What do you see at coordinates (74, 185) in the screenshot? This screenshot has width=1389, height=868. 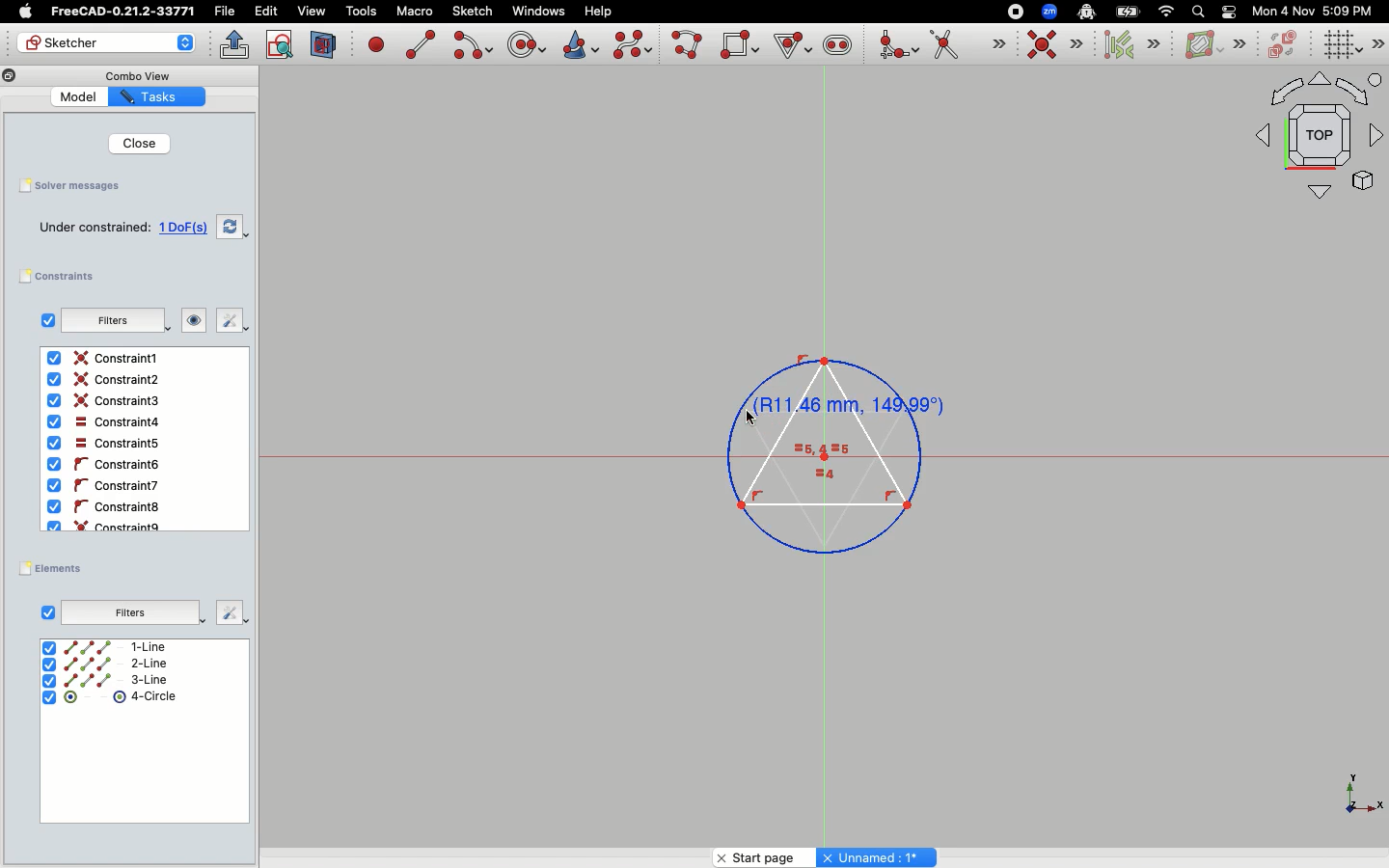 I see `Solver messages` at bounding box center [74, 185].